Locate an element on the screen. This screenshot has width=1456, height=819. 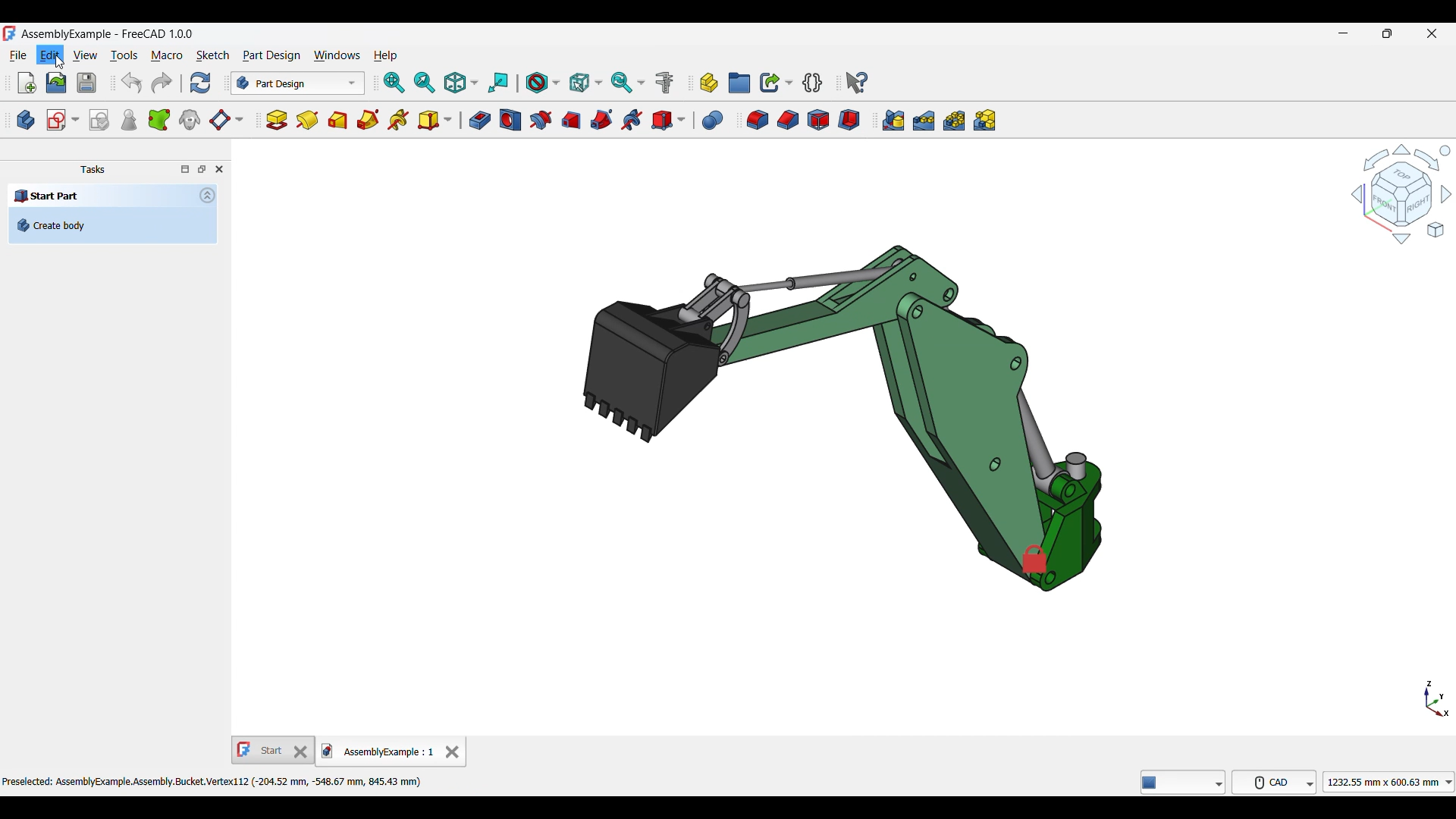
cursor is located at coordinates (62, 66).